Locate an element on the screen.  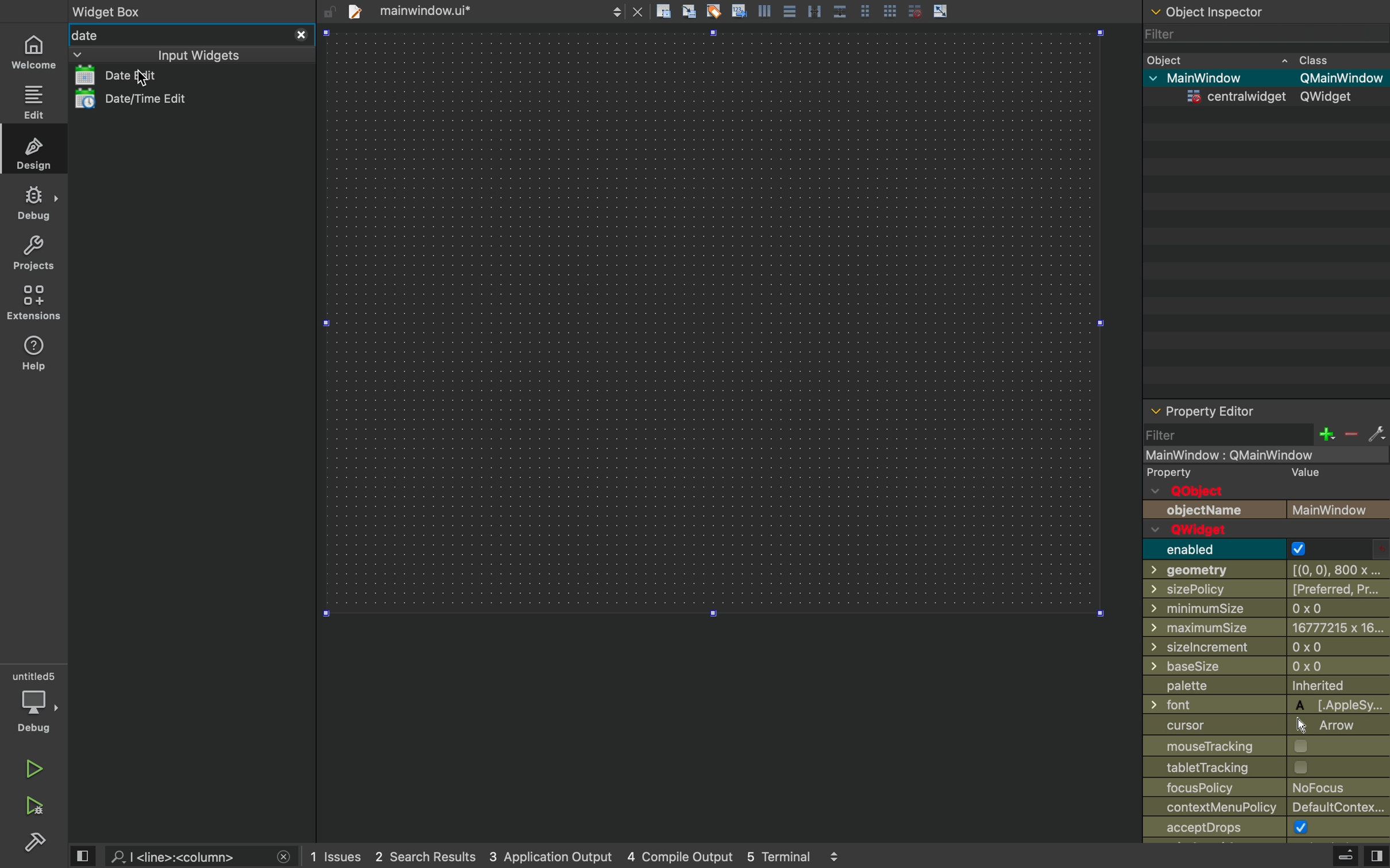
policy is located at coordinates (1268, 787).